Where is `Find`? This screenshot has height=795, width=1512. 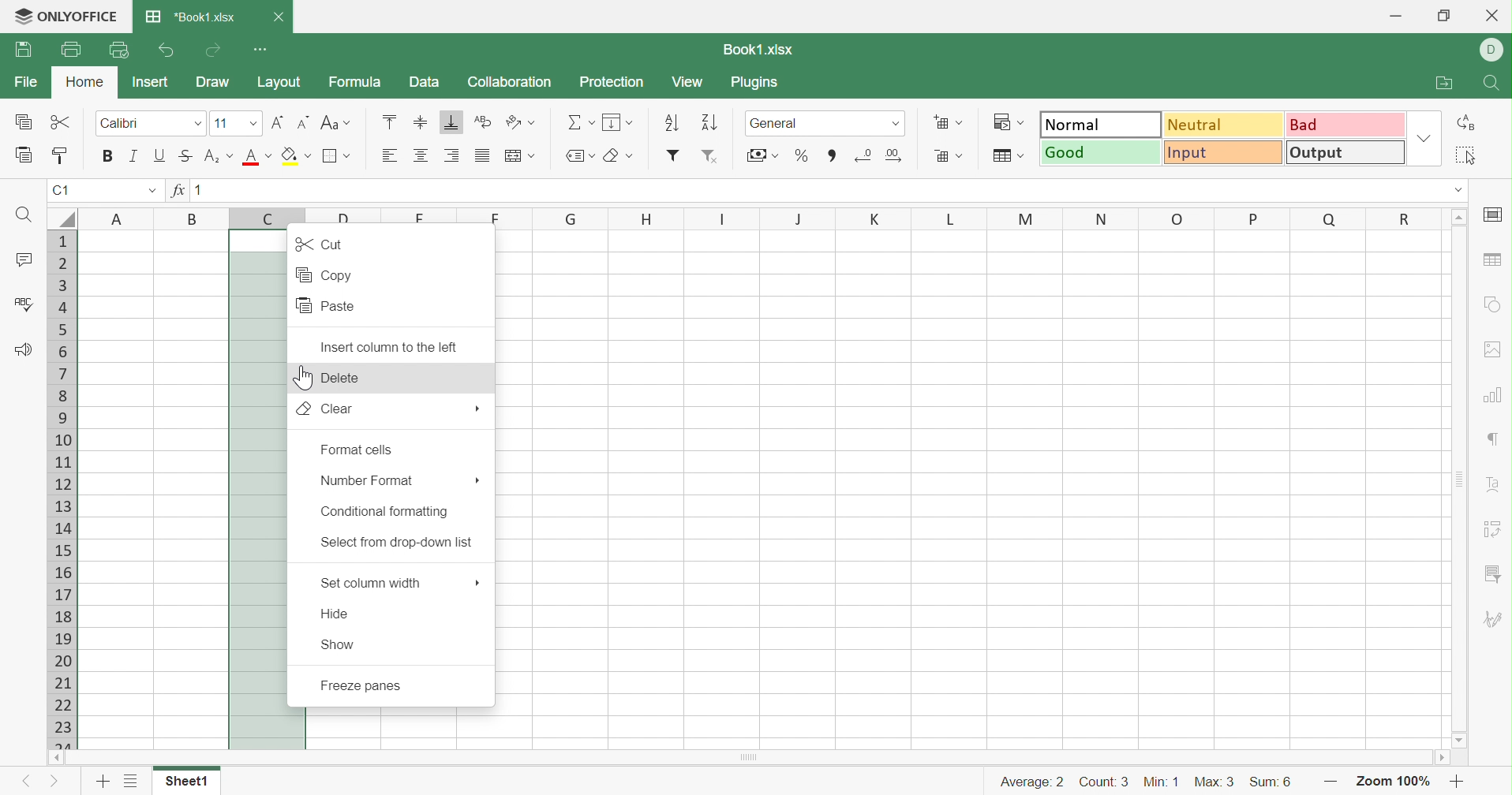
Find is located at coordinates (1492, 81).